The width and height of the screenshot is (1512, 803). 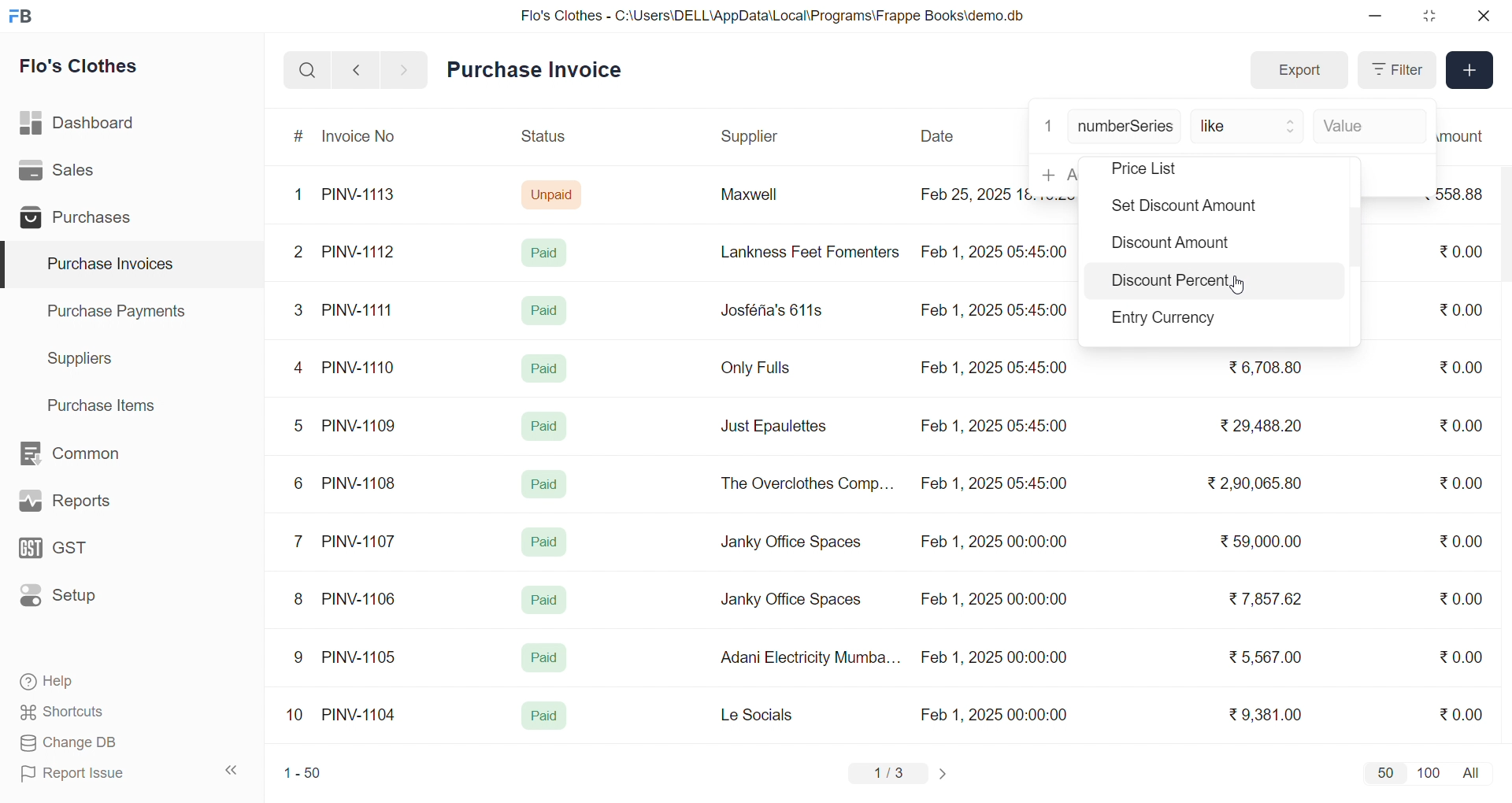 I want to click on Just Epaulettes, so click(x=780, y=427).